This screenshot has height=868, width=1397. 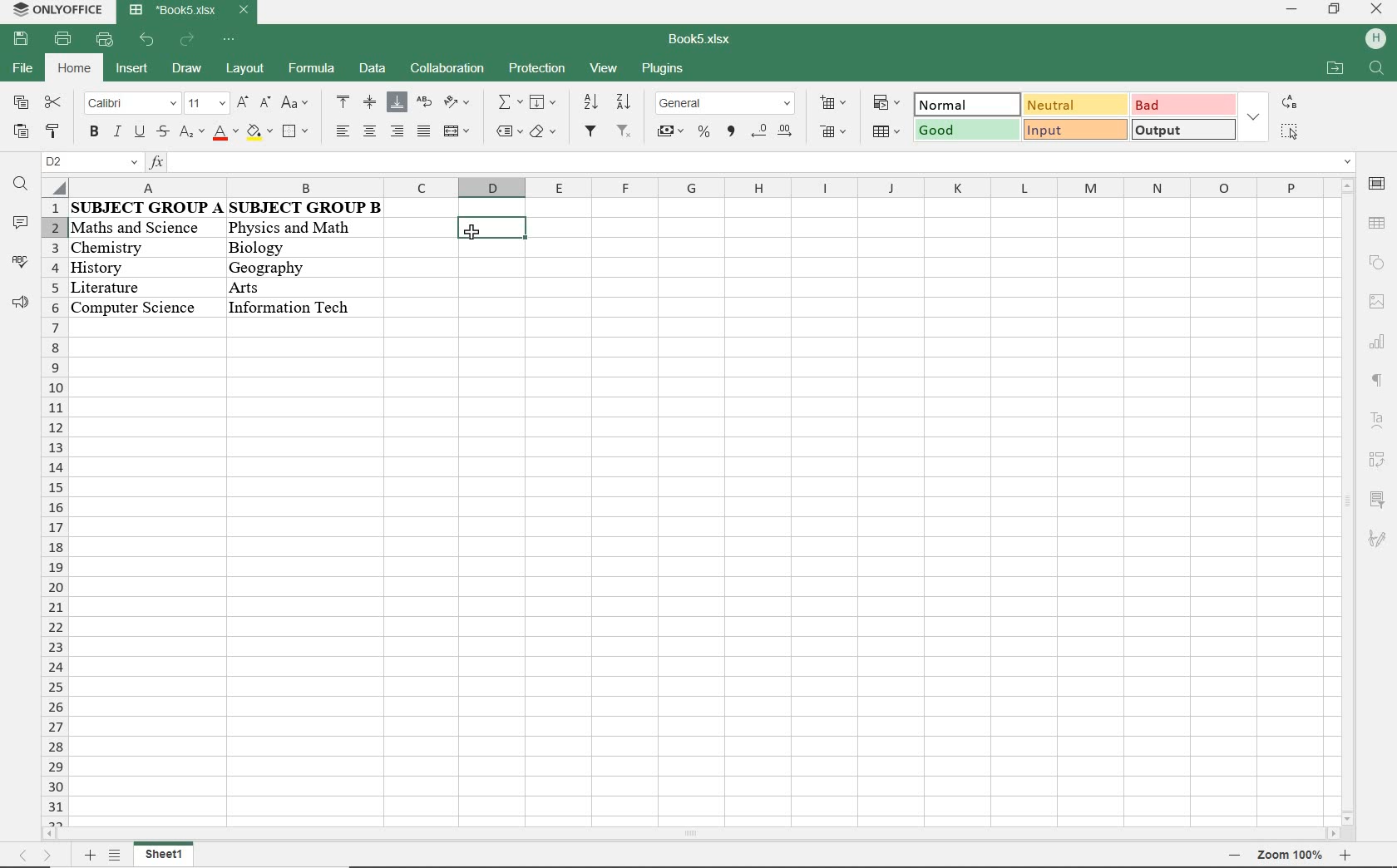 What do you see at coordinates (605, 67) in the screenshot?
I see `view` at bounding box center [605, 67].